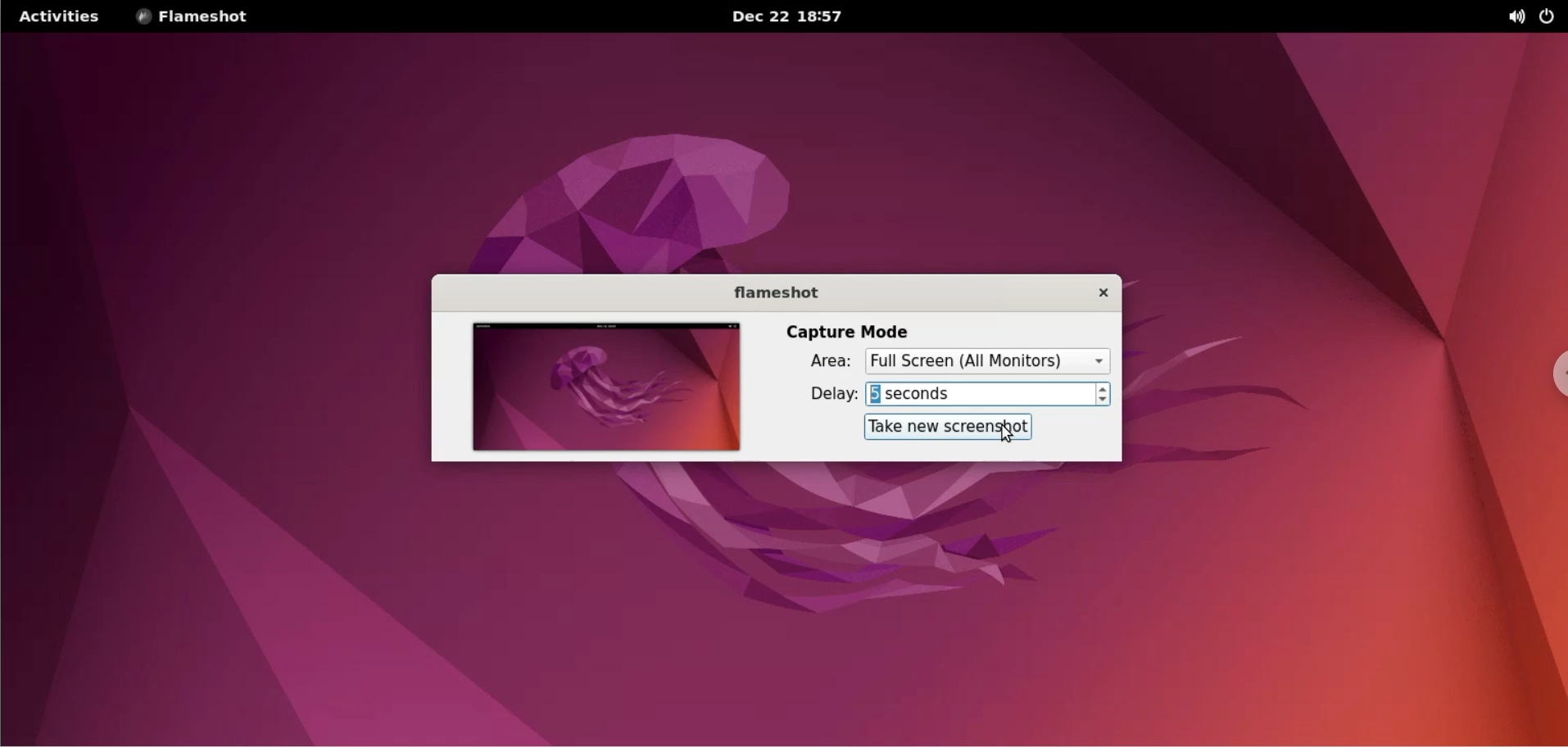 The width and height of the screenshot is (1568, 747). What do you see at coordinates (1092, 292) in the screenshot?
I see `close` at bounding box center [1092, 292].